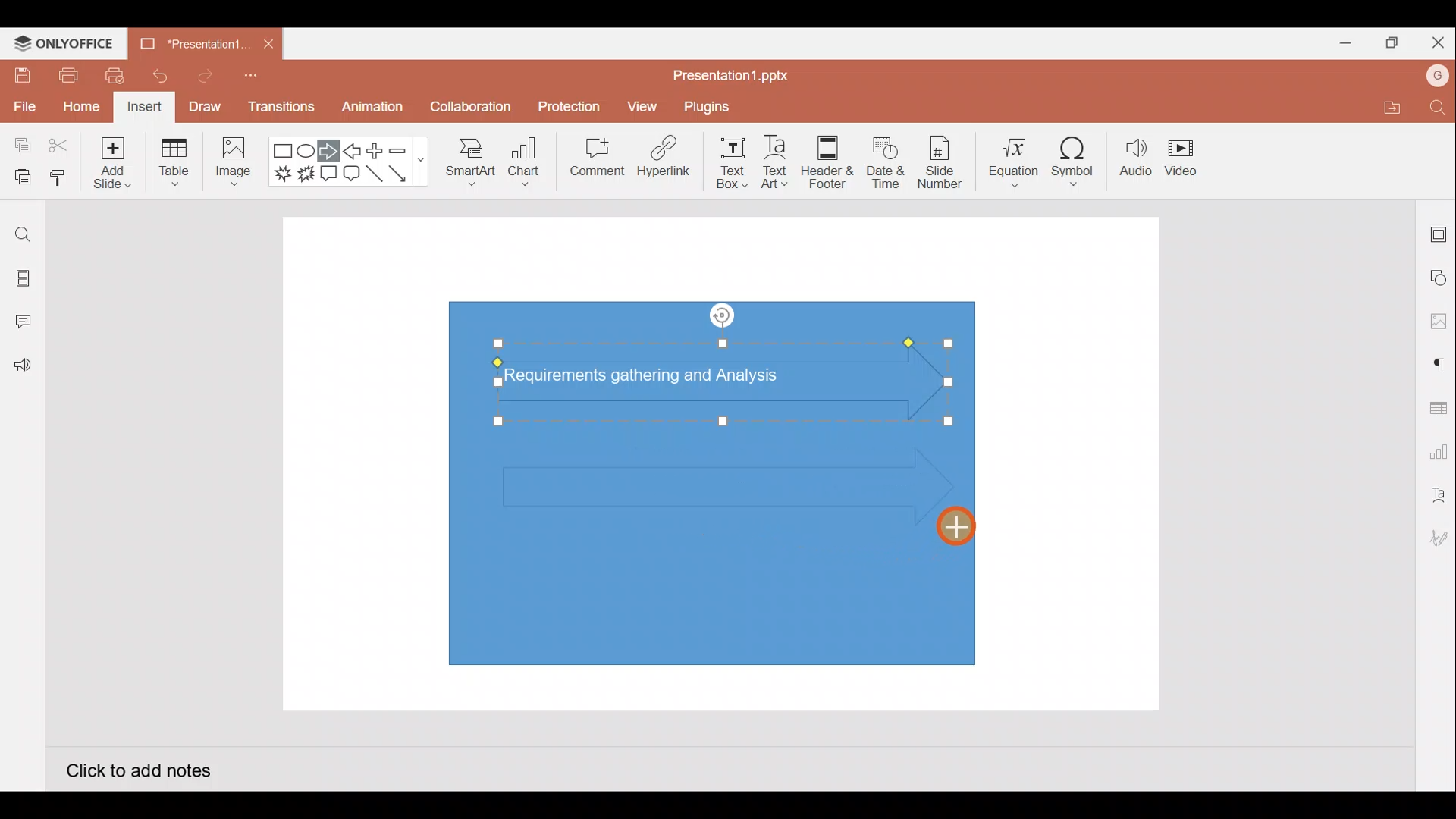 This screenshot has height=819, width=1456. Describe the element at coordinates (351, 171) in the screenshot. I see `Rounded Rectangular callout` at that location.